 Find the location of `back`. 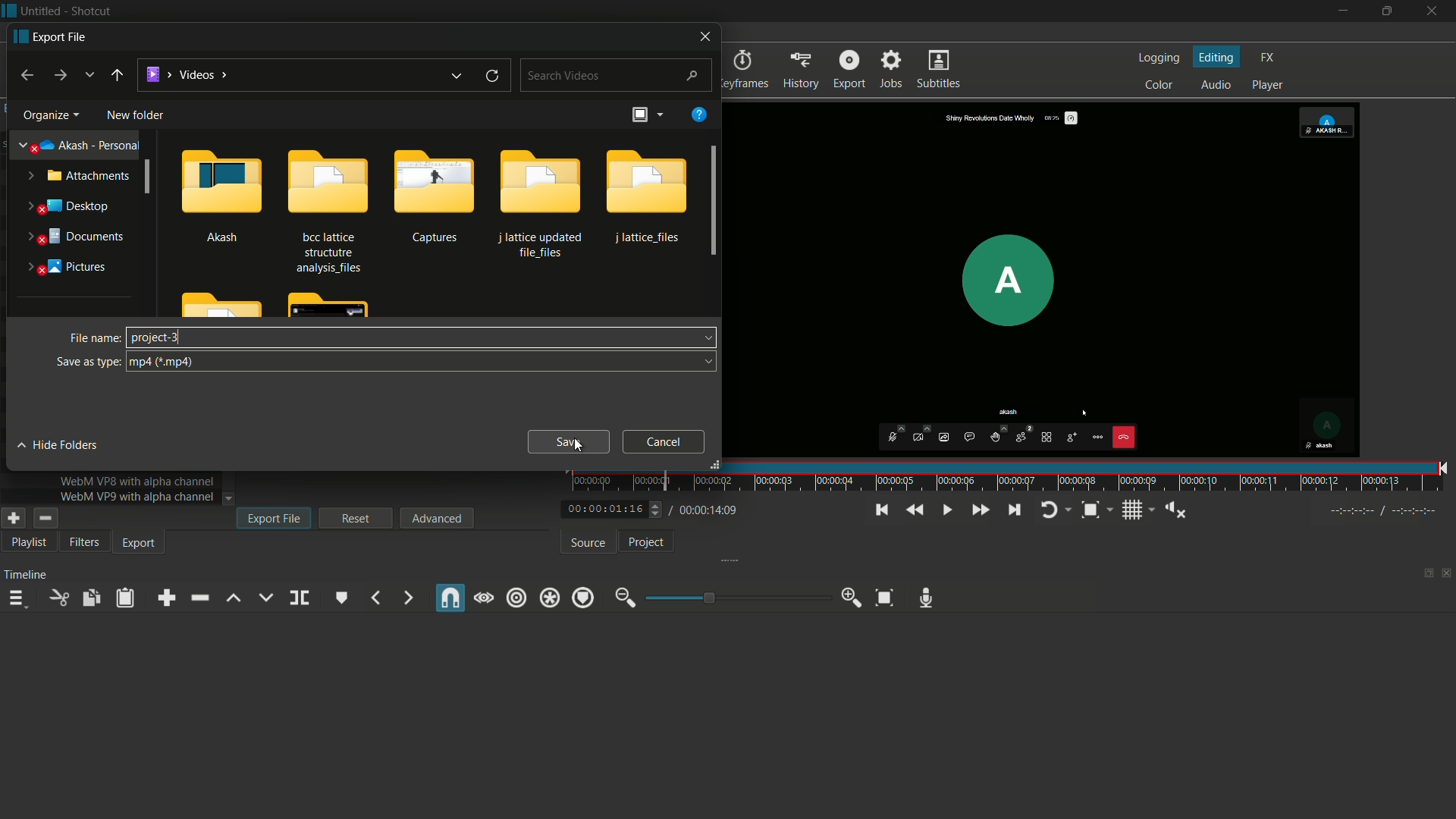

back is located at coordinates (24, 75).